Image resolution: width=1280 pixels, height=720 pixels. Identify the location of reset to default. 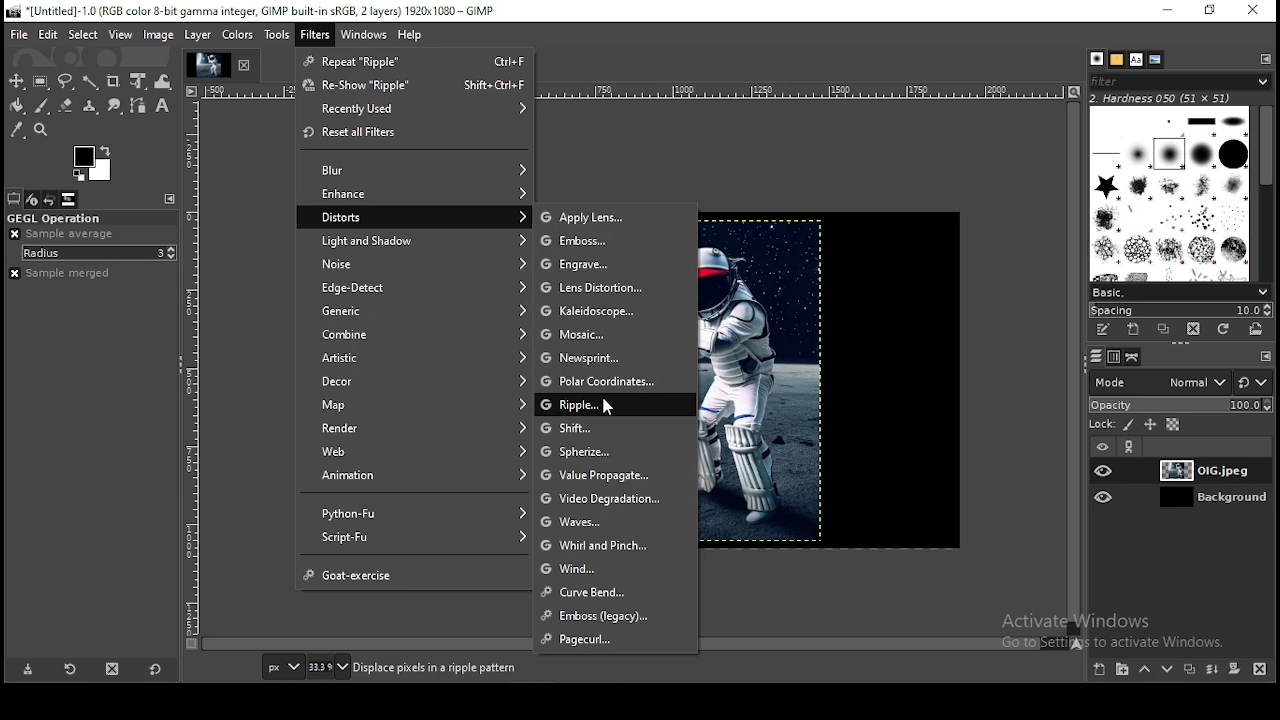
(154, 670).